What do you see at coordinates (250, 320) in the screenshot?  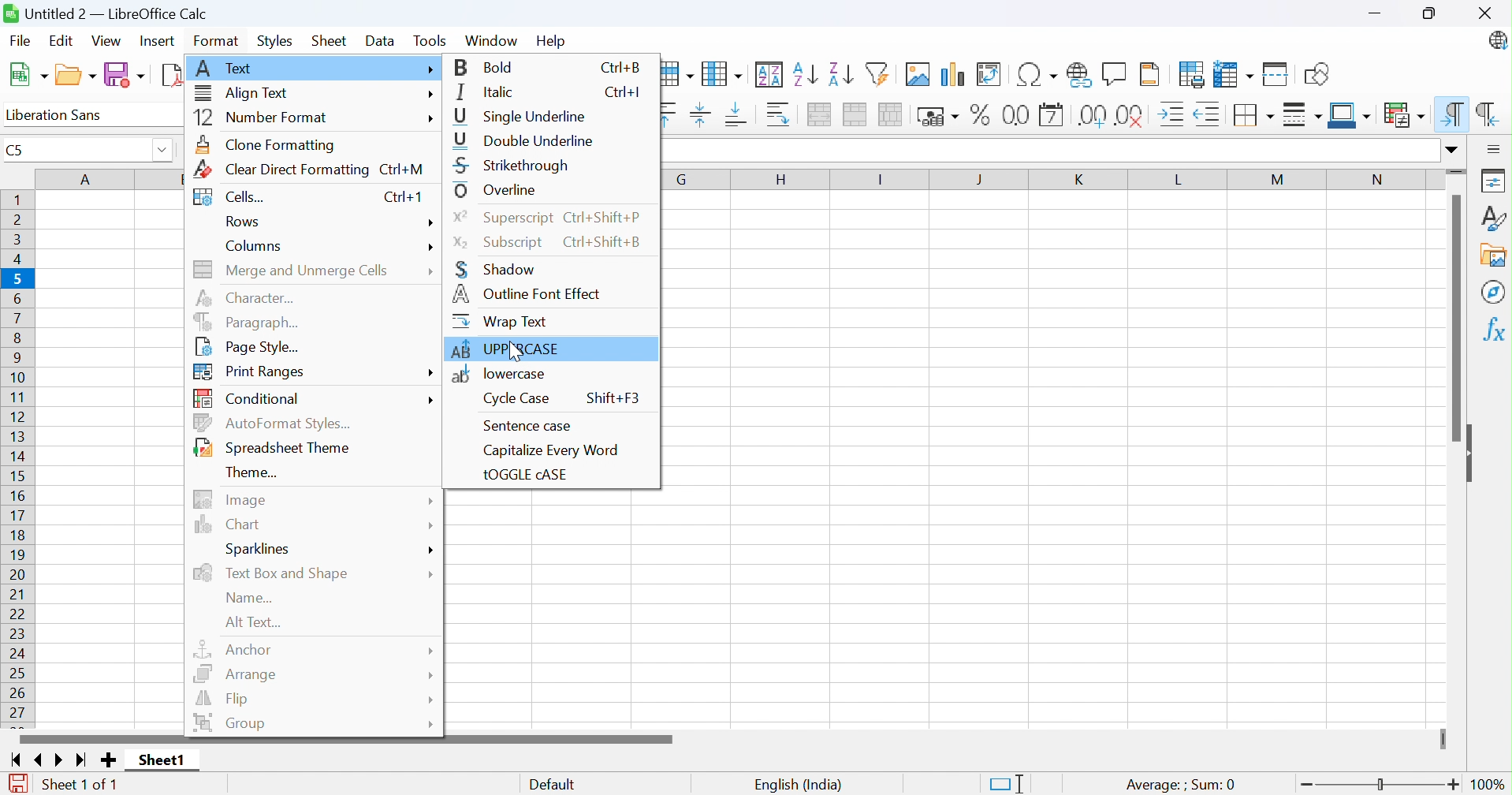 I see `Paragraph` at bounding box center [250, 320].